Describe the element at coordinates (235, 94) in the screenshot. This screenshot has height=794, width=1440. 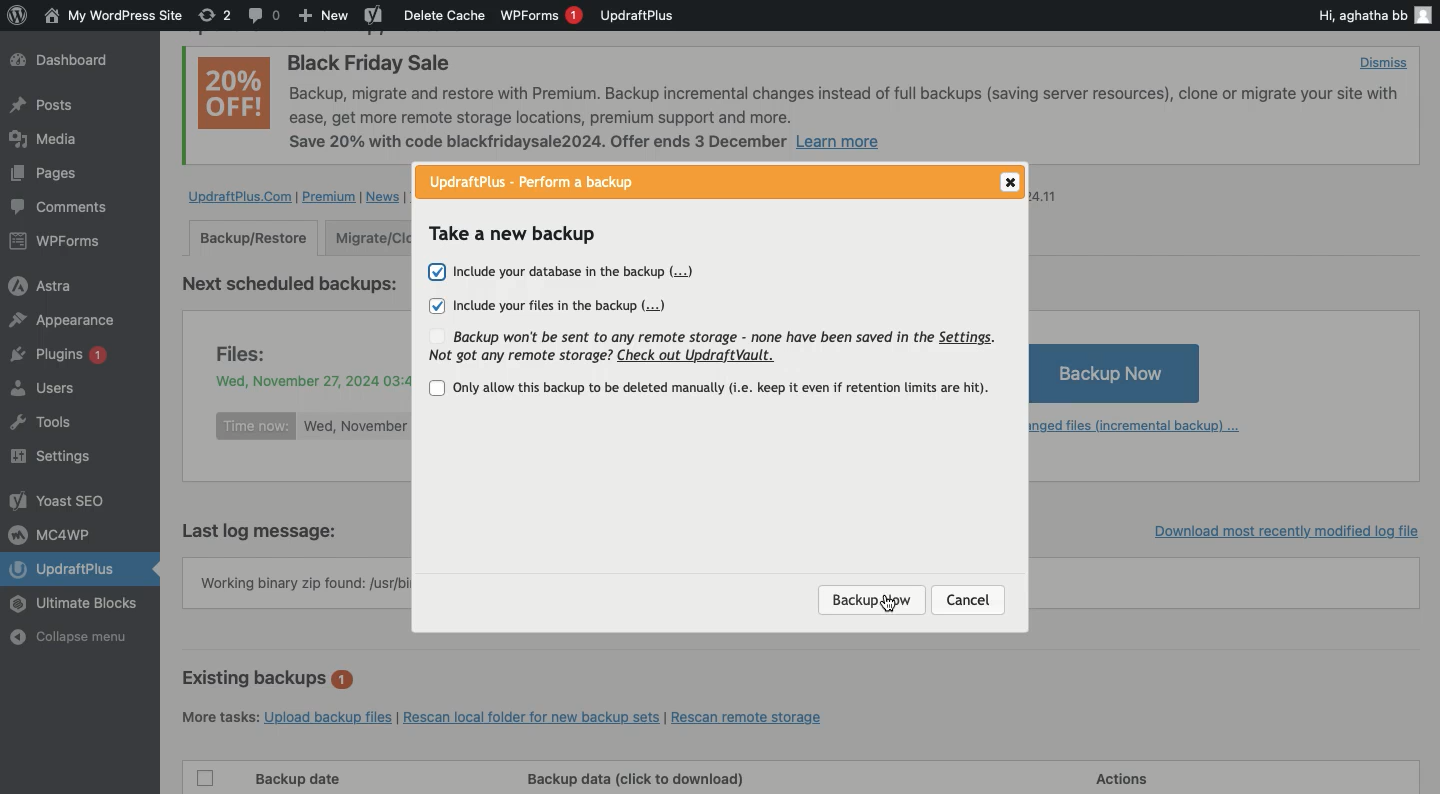
I see `20% OFF` at that location.